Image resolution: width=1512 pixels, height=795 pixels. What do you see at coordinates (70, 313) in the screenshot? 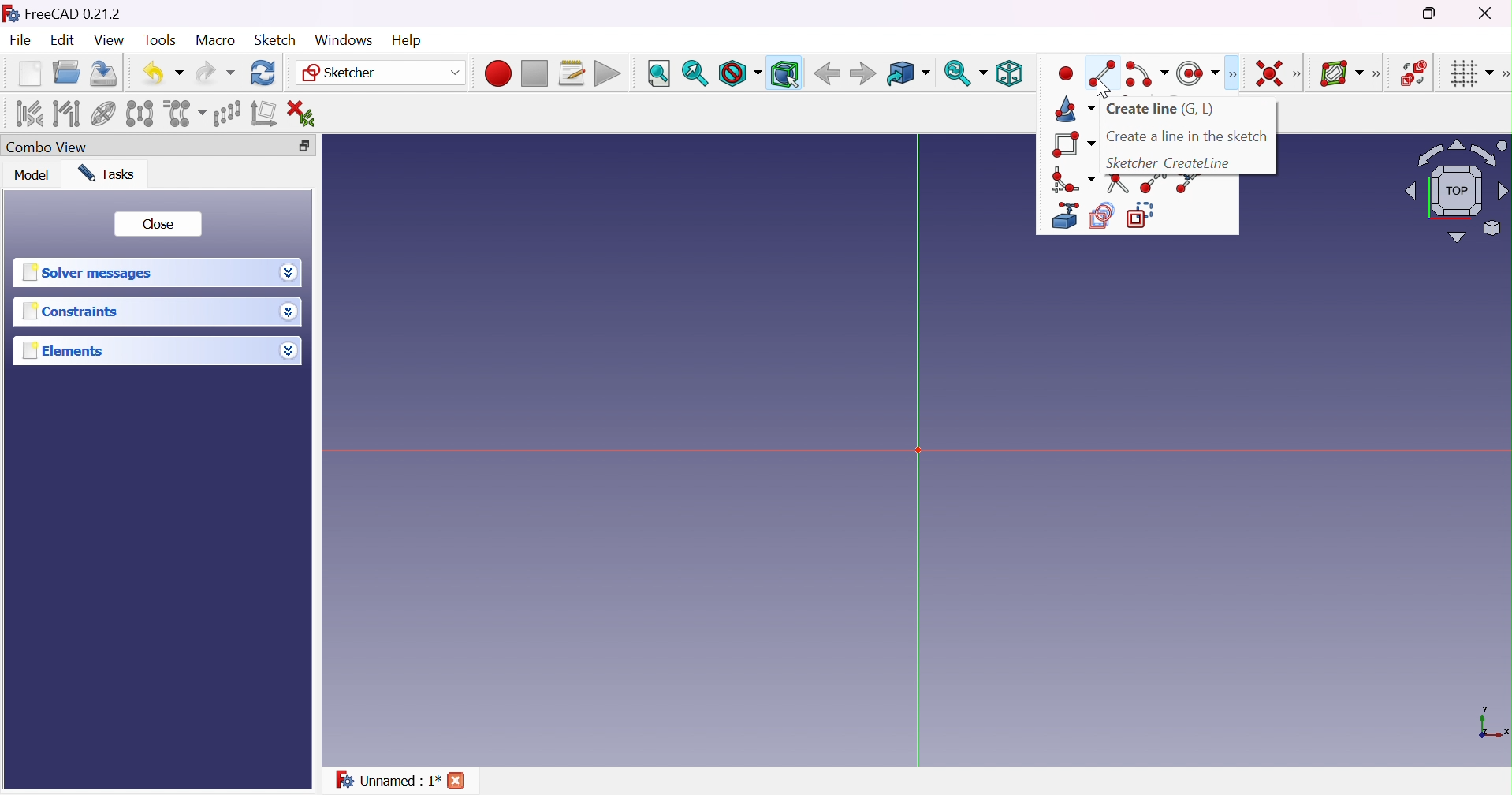
I see `Constraints` at bounding box center [70, 313].